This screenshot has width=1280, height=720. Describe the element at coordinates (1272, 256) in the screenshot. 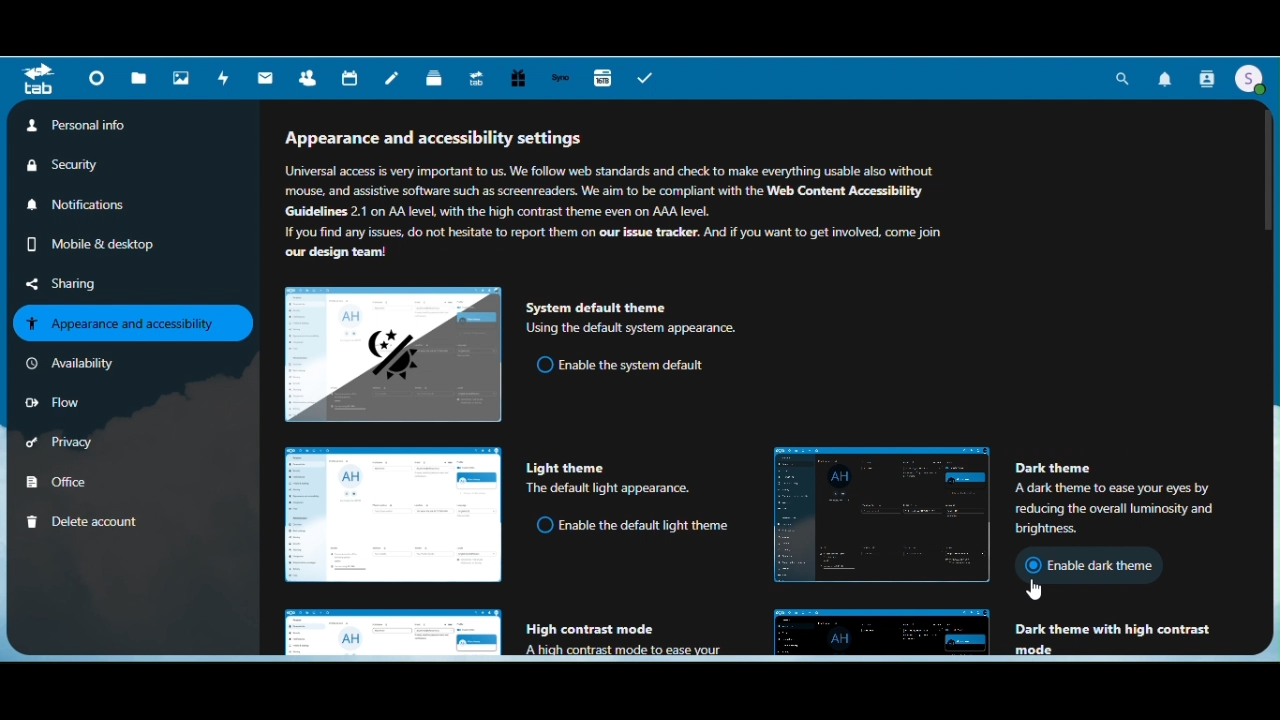

I see `Vertical scroll bar` at that location.